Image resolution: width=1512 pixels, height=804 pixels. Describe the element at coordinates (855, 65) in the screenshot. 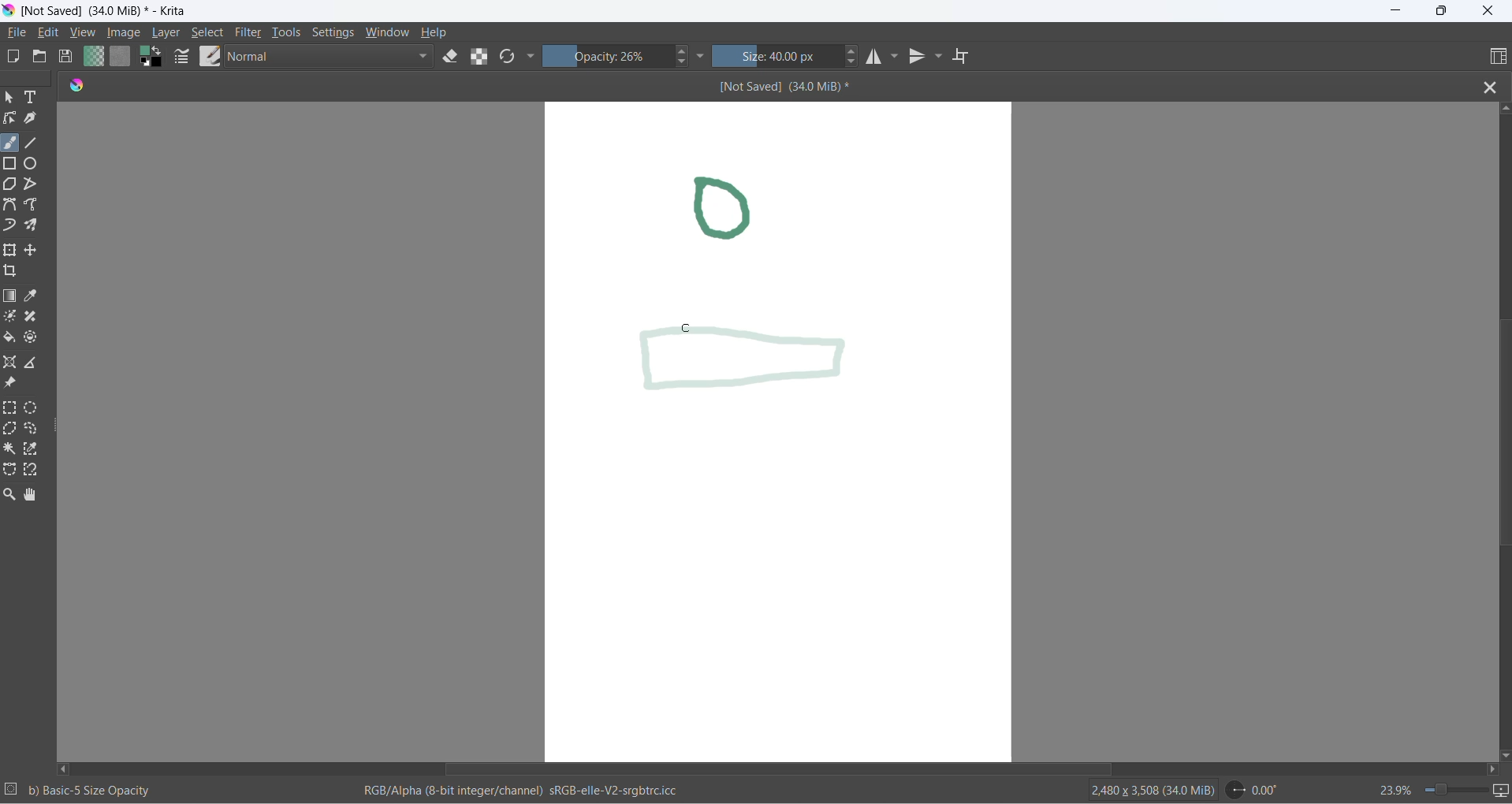

I see `size decrease button` at that location.